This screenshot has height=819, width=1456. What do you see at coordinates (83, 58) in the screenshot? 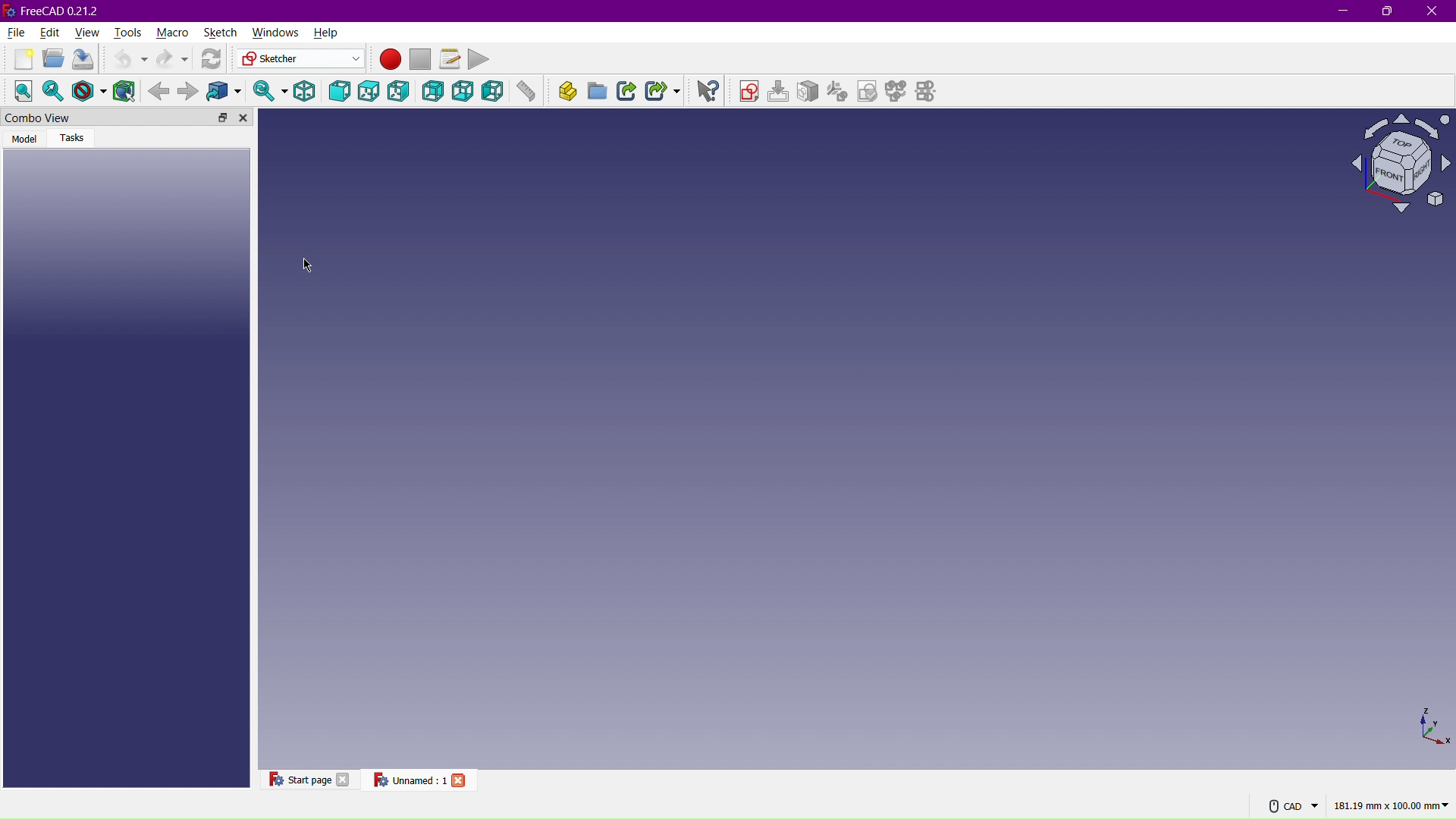
I see `Save` at bounding box center [83, 58].